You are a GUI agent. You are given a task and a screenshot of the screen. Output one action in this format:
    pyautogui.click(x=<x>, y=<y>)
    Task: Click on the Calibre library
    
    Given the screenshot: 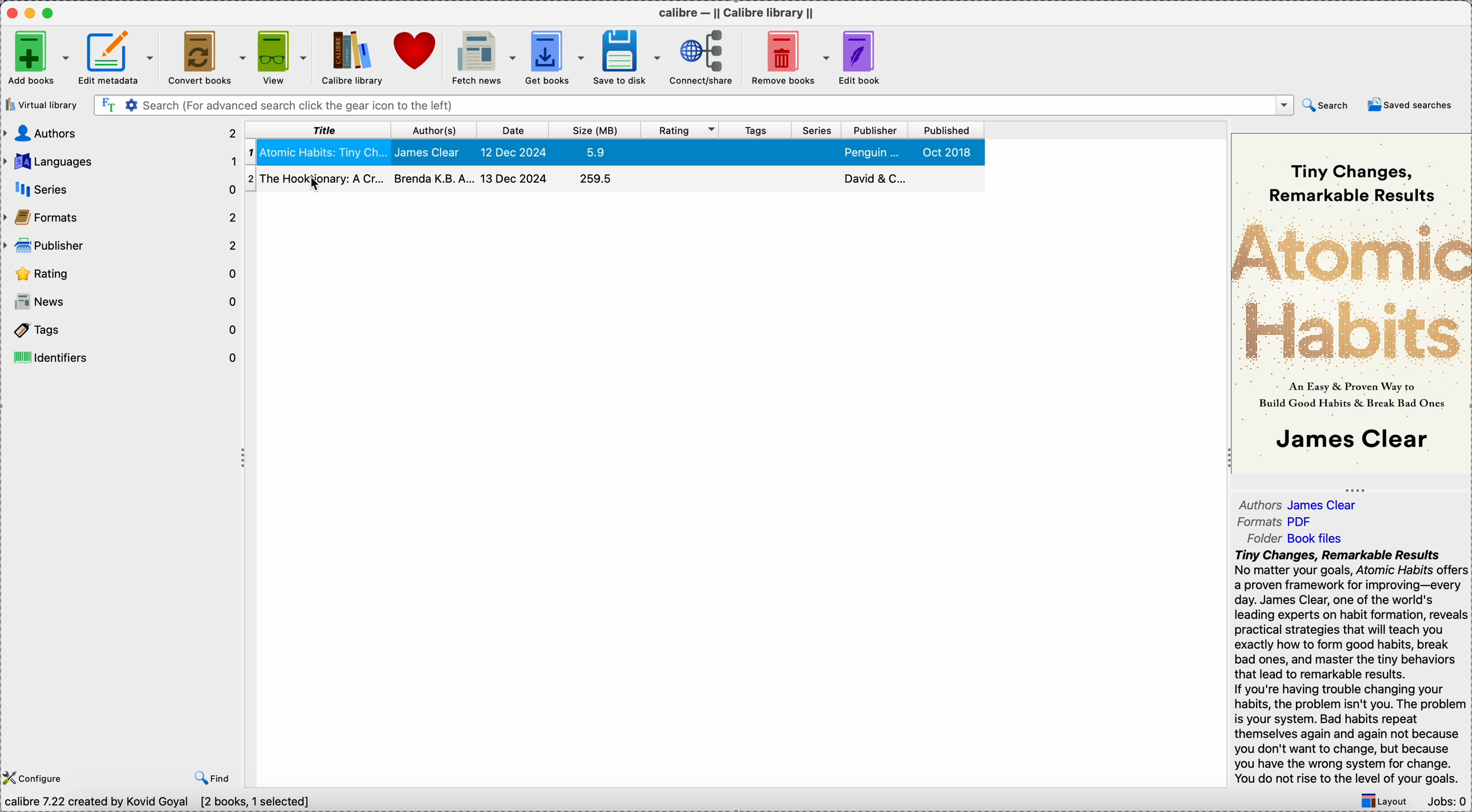 What is the action you would take?
    pyautogui.click(x=352, y=59)
    